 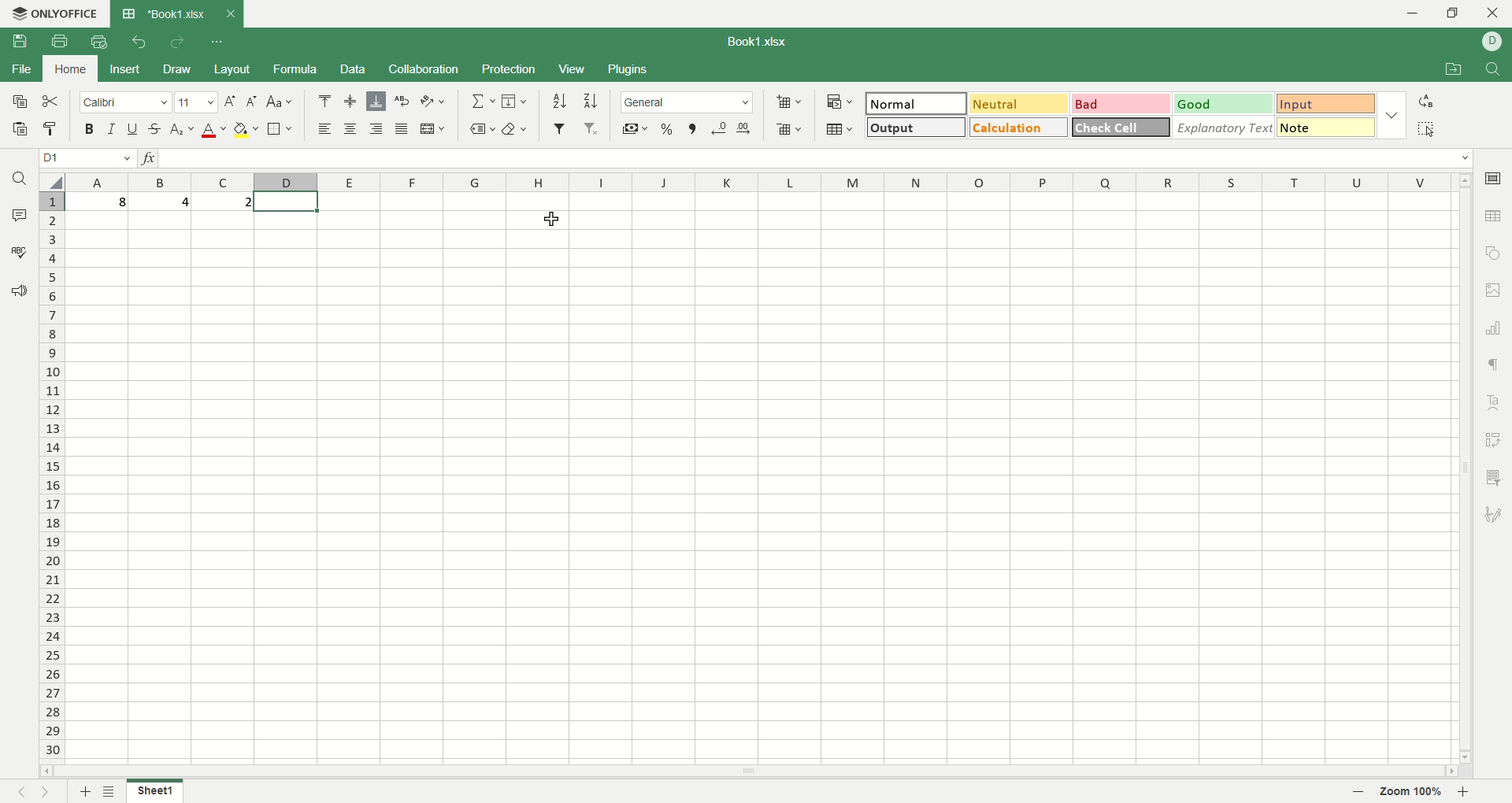 What do you see at coordinates (1411, 790) in the screenshot?
I see `zoom 100%` at bounding box center [1411, 790].